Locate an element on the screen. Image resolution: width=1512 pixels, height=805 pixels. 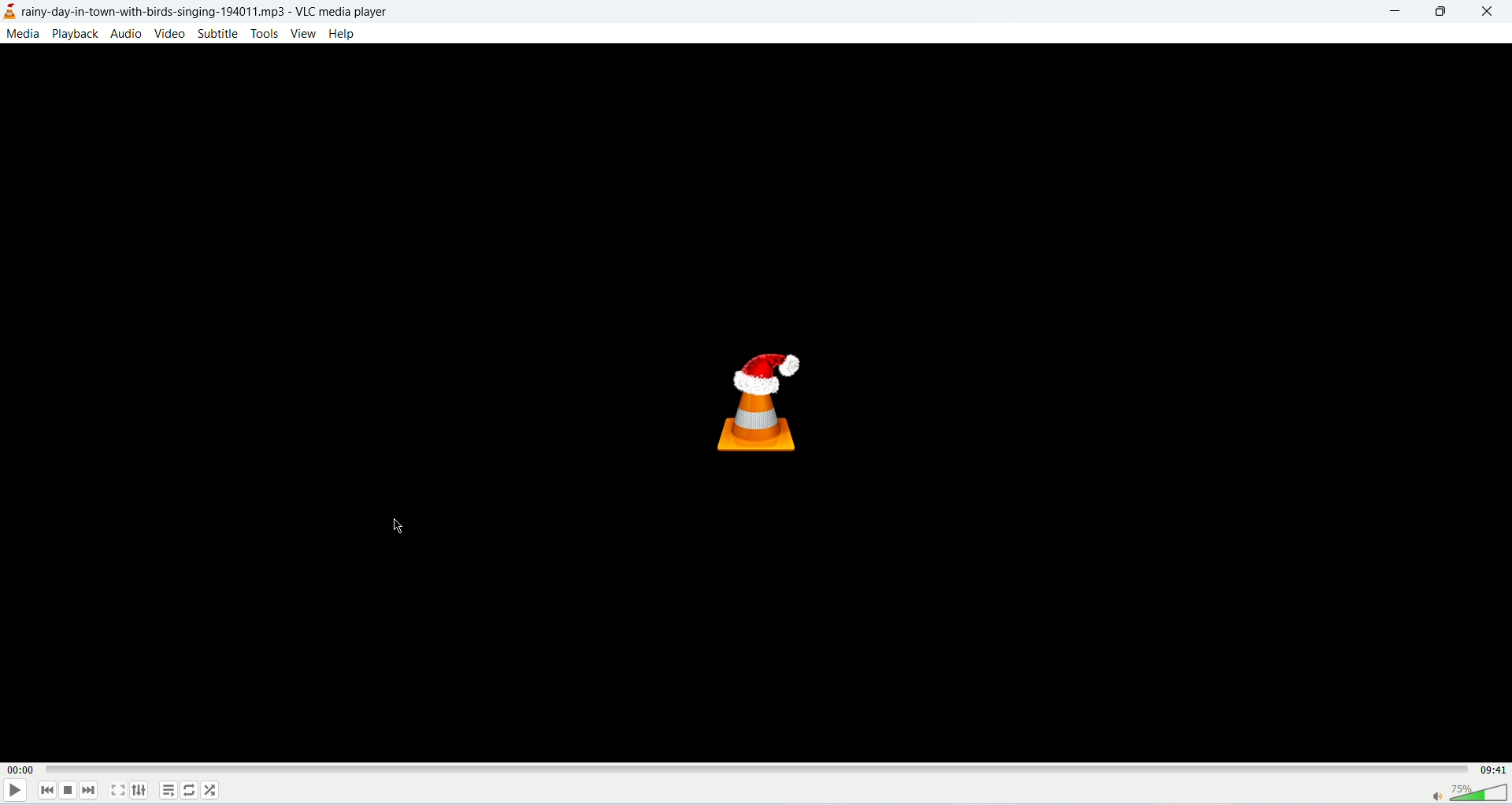
stop is located at coordinates (69, 788).